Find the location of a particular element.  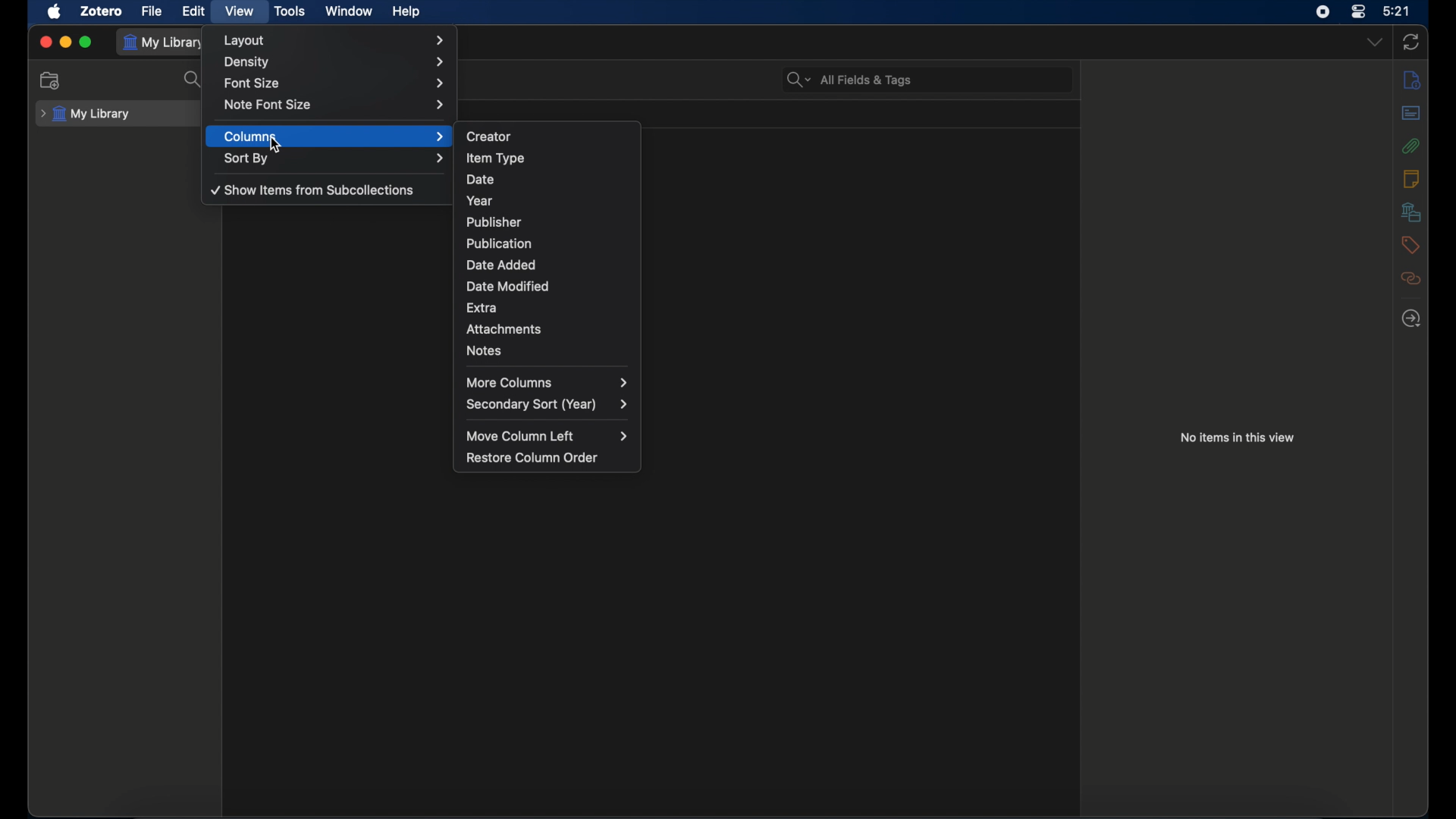

file is located at coordinates (153, 12).